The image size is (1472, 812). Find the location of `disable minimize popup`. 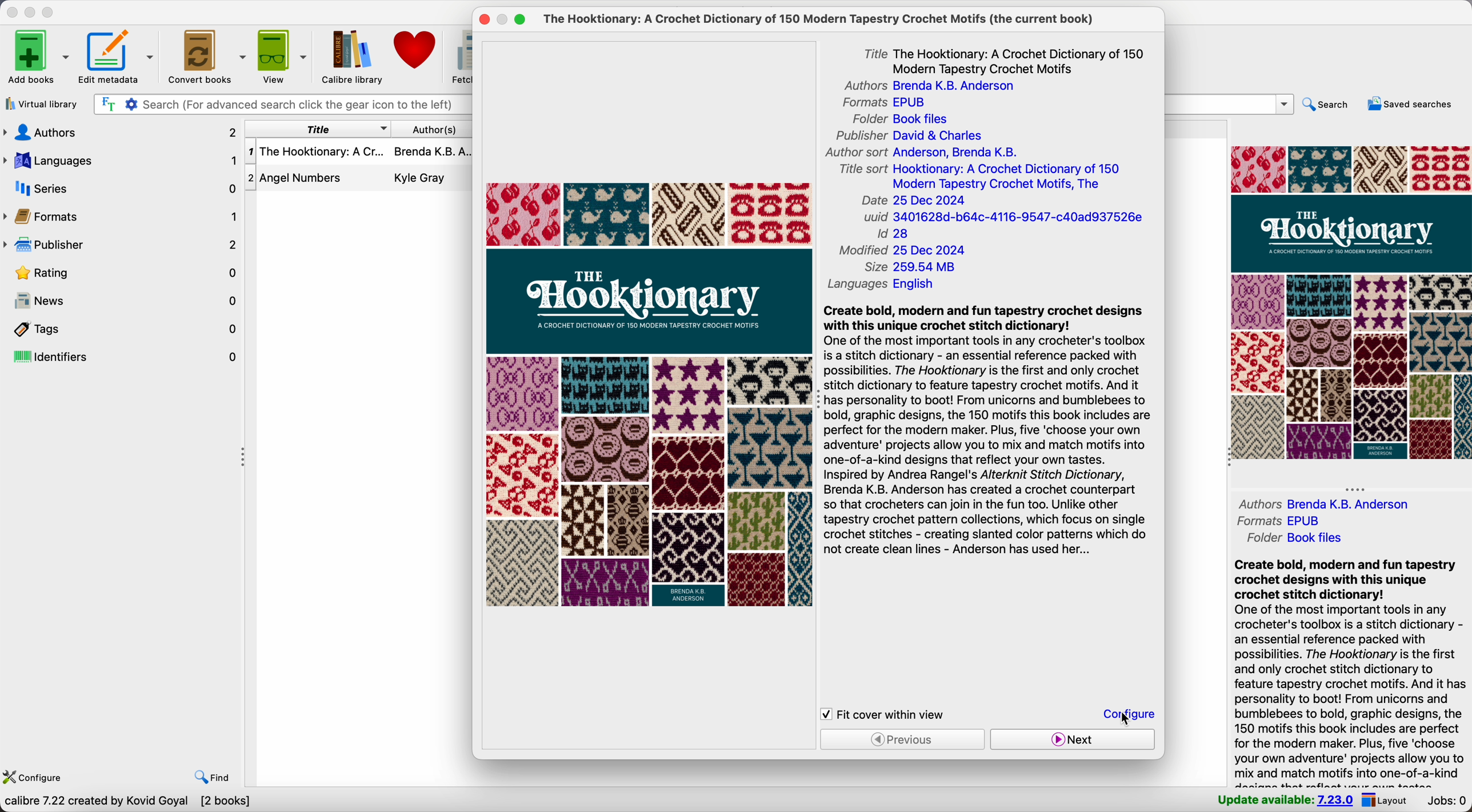

disable minimize popup is located at coordinates (505, 20).